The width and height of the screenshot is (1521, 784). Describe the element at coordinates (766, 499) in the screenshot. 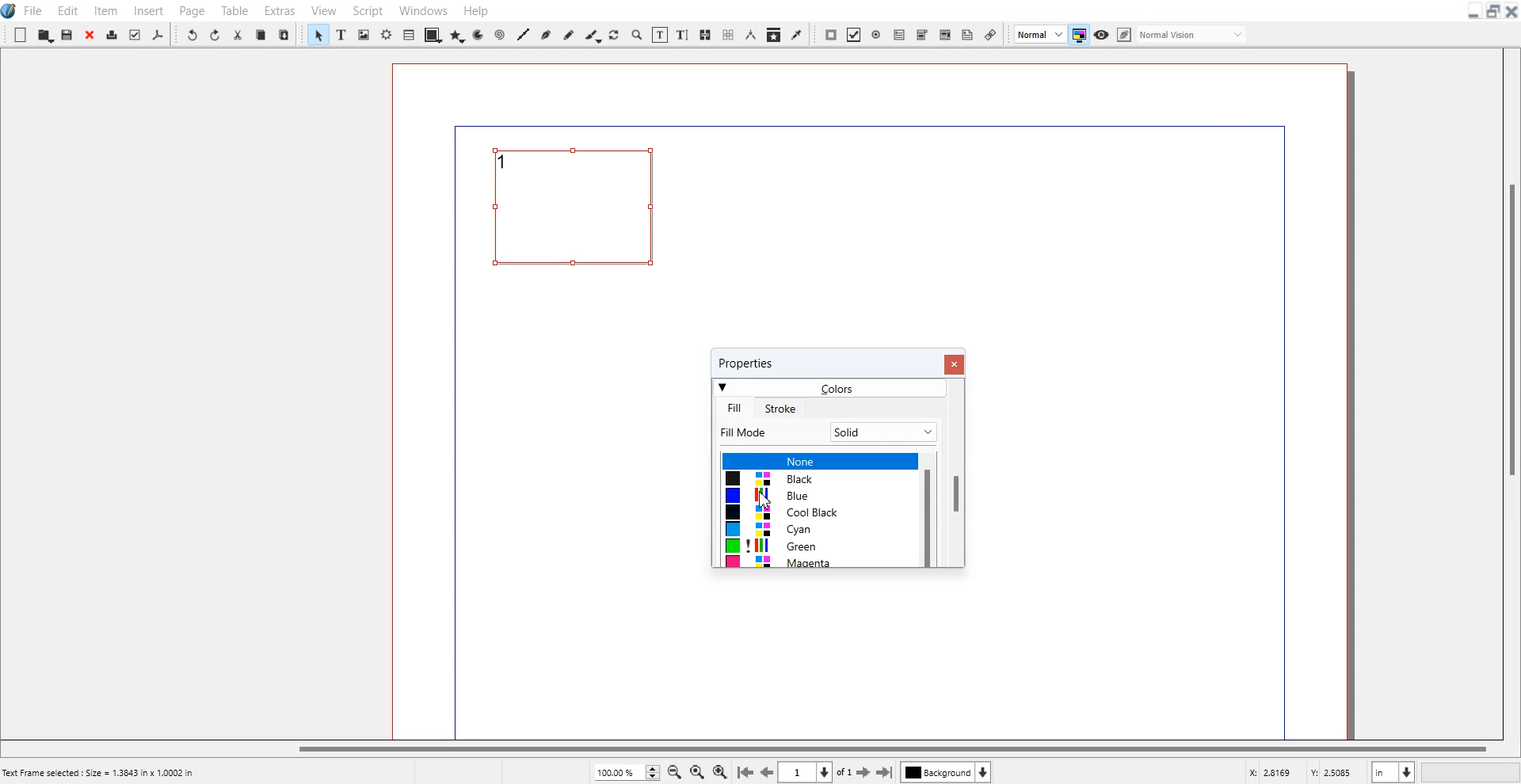

I see `Cursor` at that location.